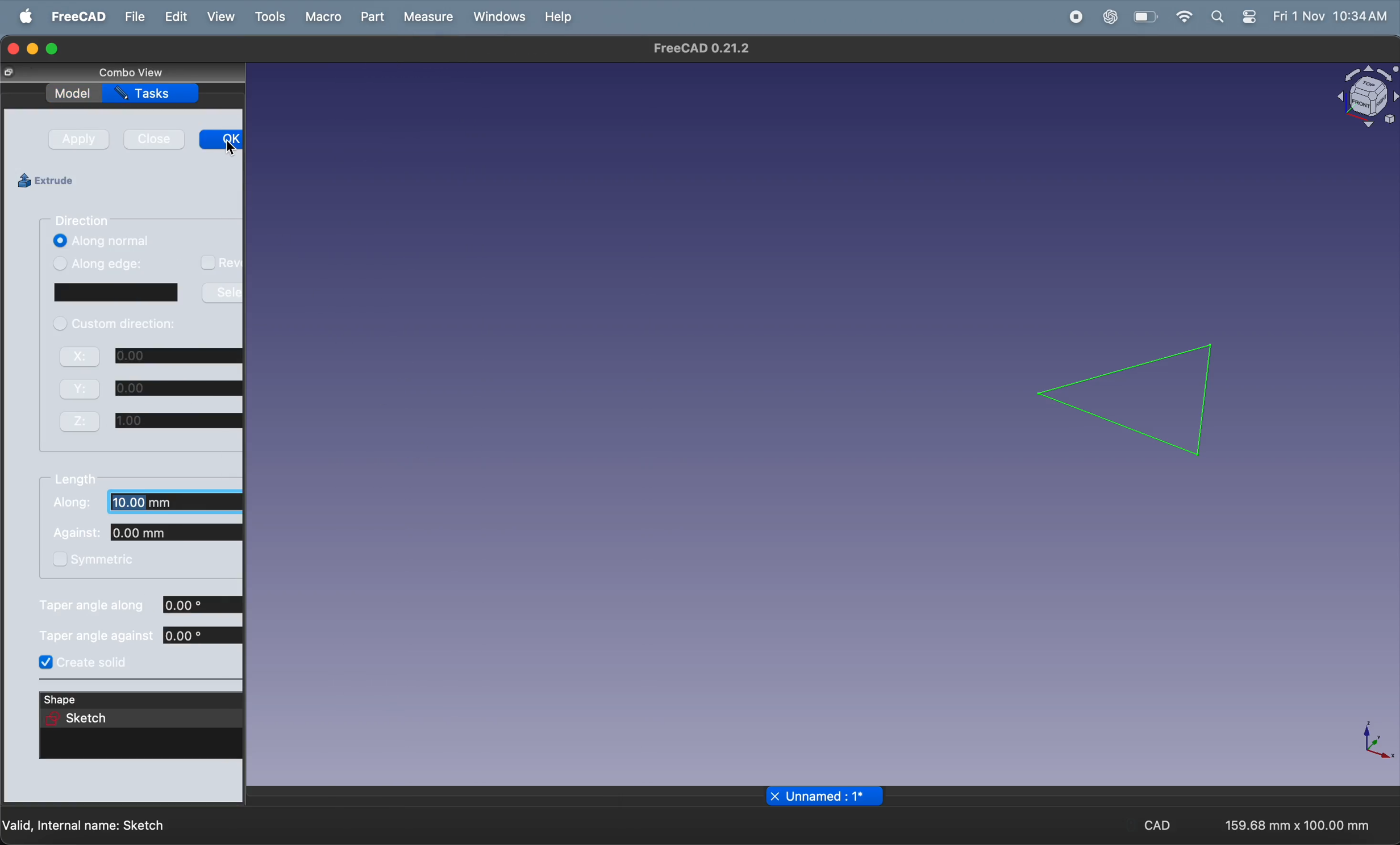 Image resolution: width=1400 pixels, height=845 pixels. I want to click on edit, so click(177, 15).